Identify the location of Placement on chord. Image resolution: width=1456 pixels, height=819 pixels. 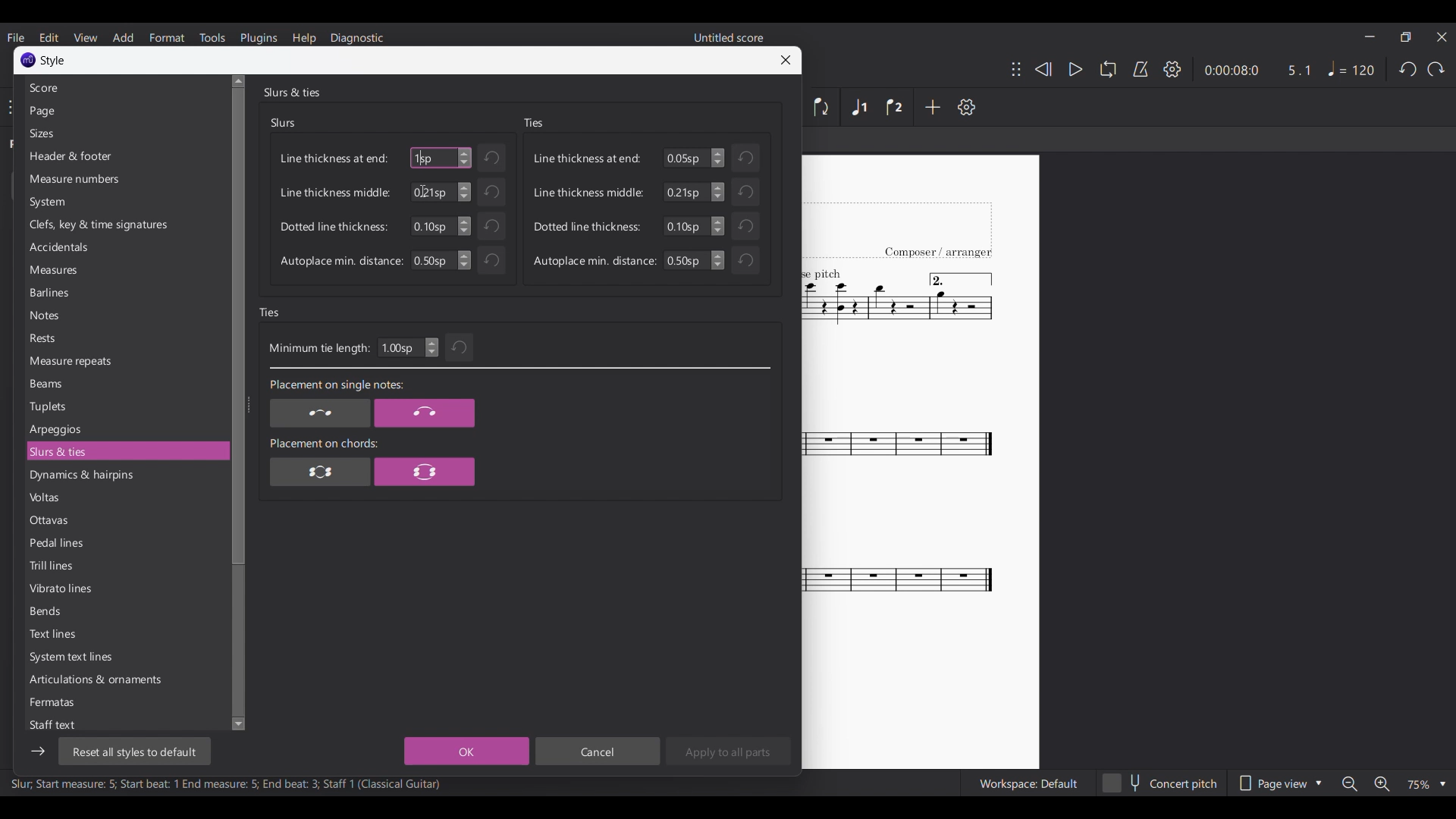
(324, 443).